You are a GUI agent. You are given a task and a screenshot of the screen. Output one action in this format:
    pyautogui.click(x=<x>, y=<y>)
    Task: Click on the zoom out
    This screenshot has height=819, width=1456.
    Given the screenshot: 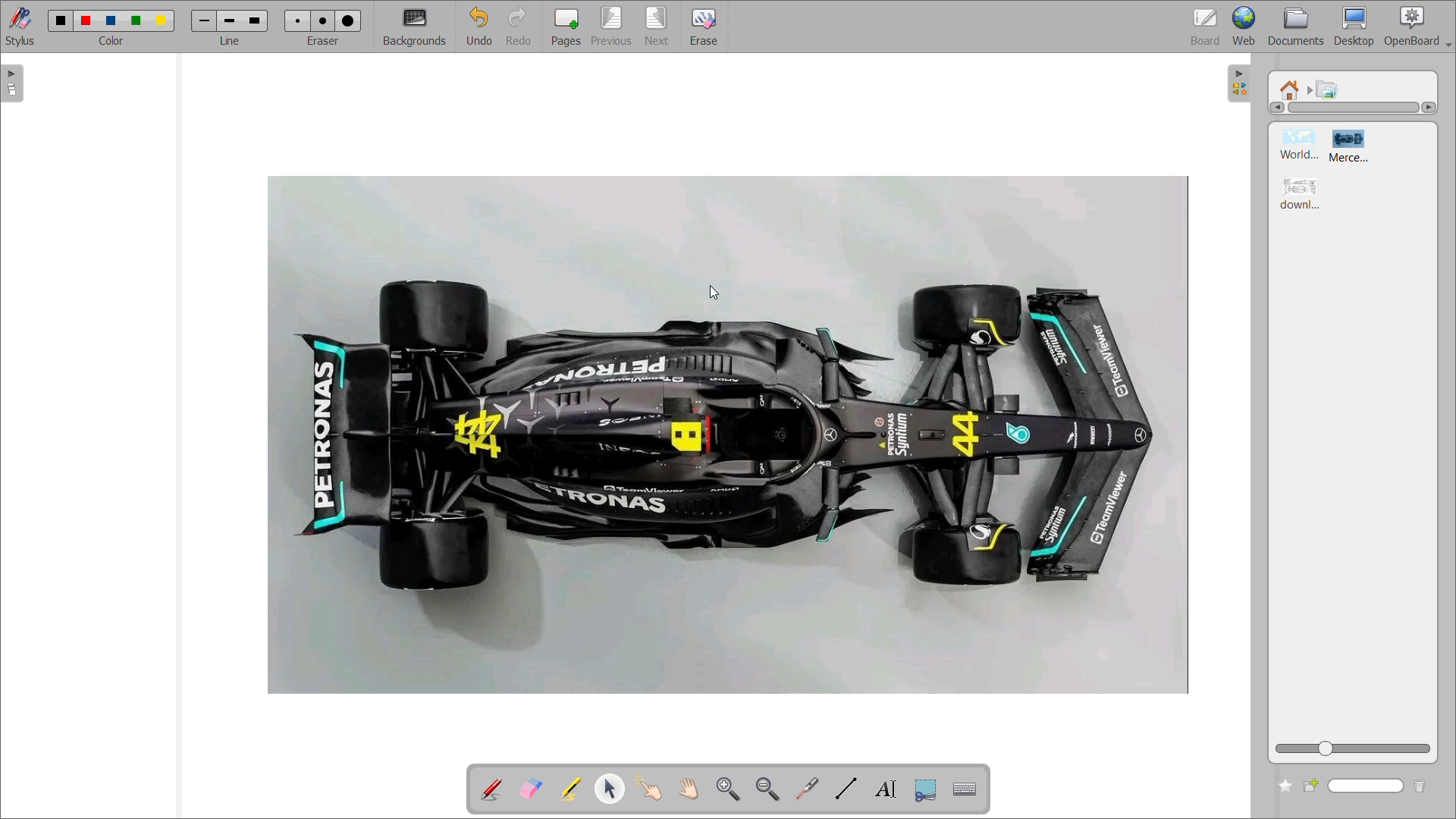 What is the action you would take?
    pyautogui.click(x=769, y=790)
    